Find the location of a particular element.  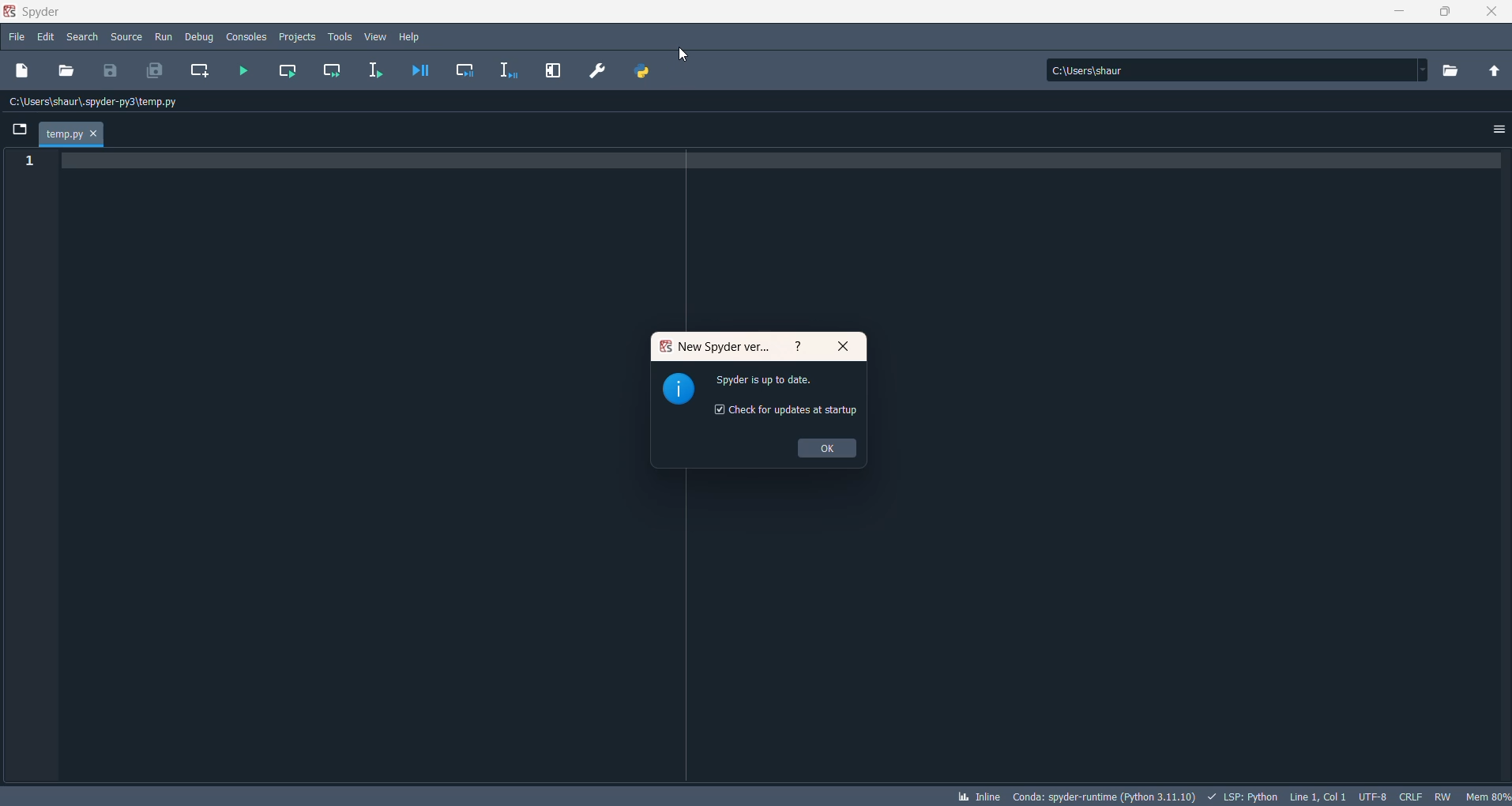

source is located at coordinates (126, 37).